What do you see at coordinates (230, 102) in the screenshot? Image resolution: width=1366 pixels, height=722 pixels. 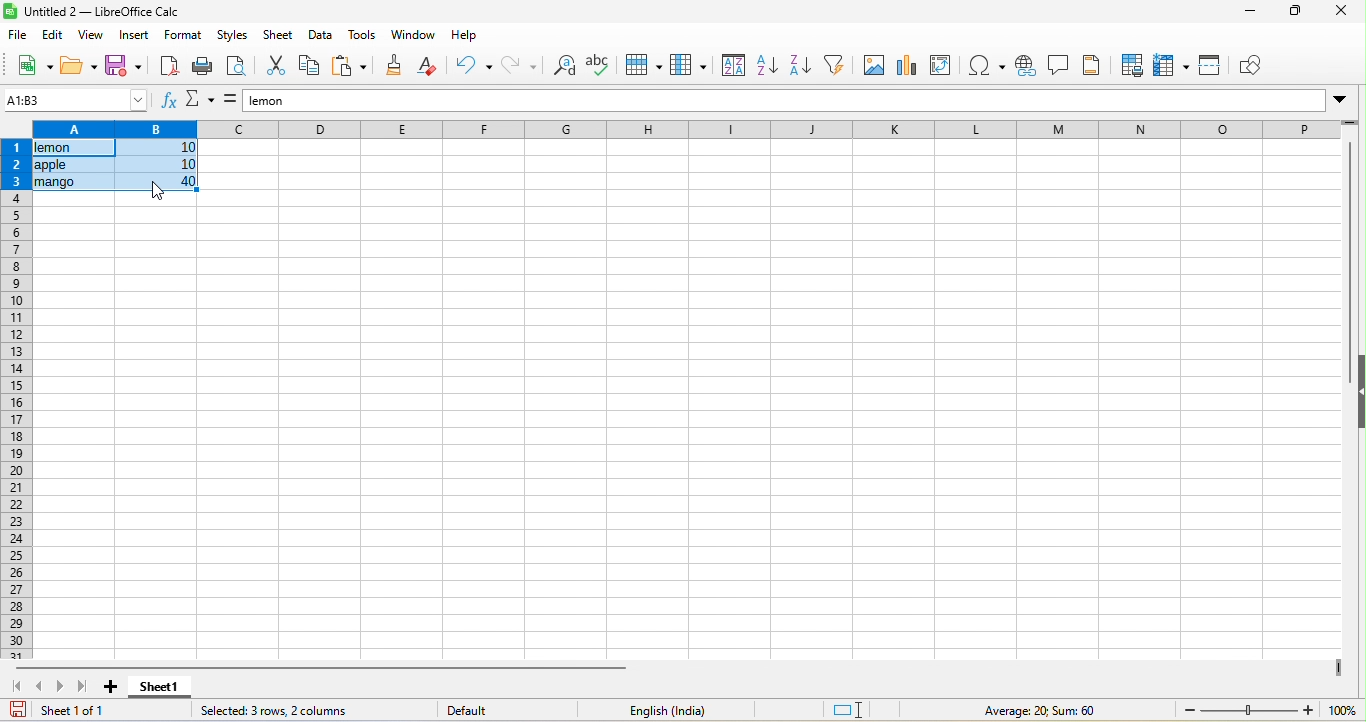 I see `formula` at bounding box center [230, 102].